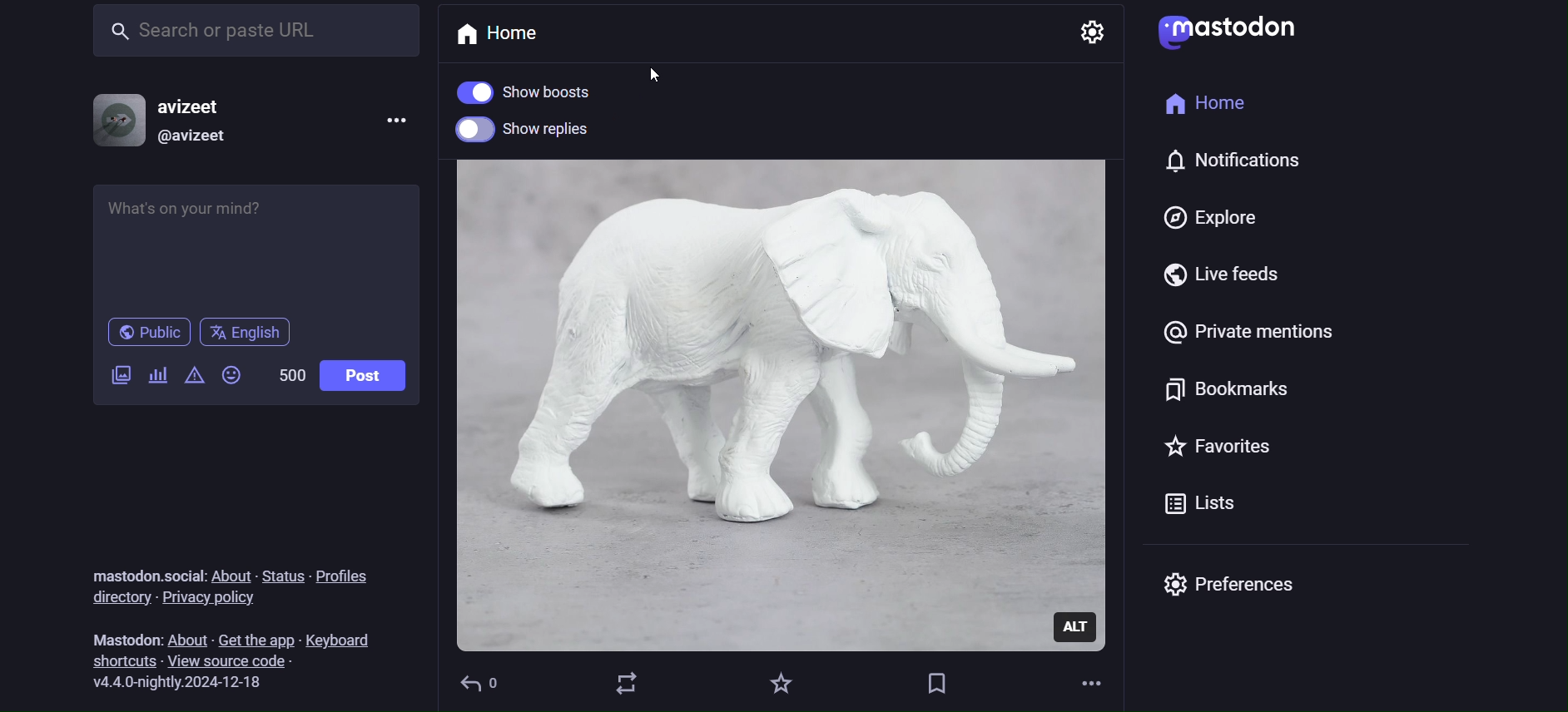 The height and width of the screenshot is (712, 1568). Describe the element at coordinates (120, 638) in the screenshot. I see `text` at that location.